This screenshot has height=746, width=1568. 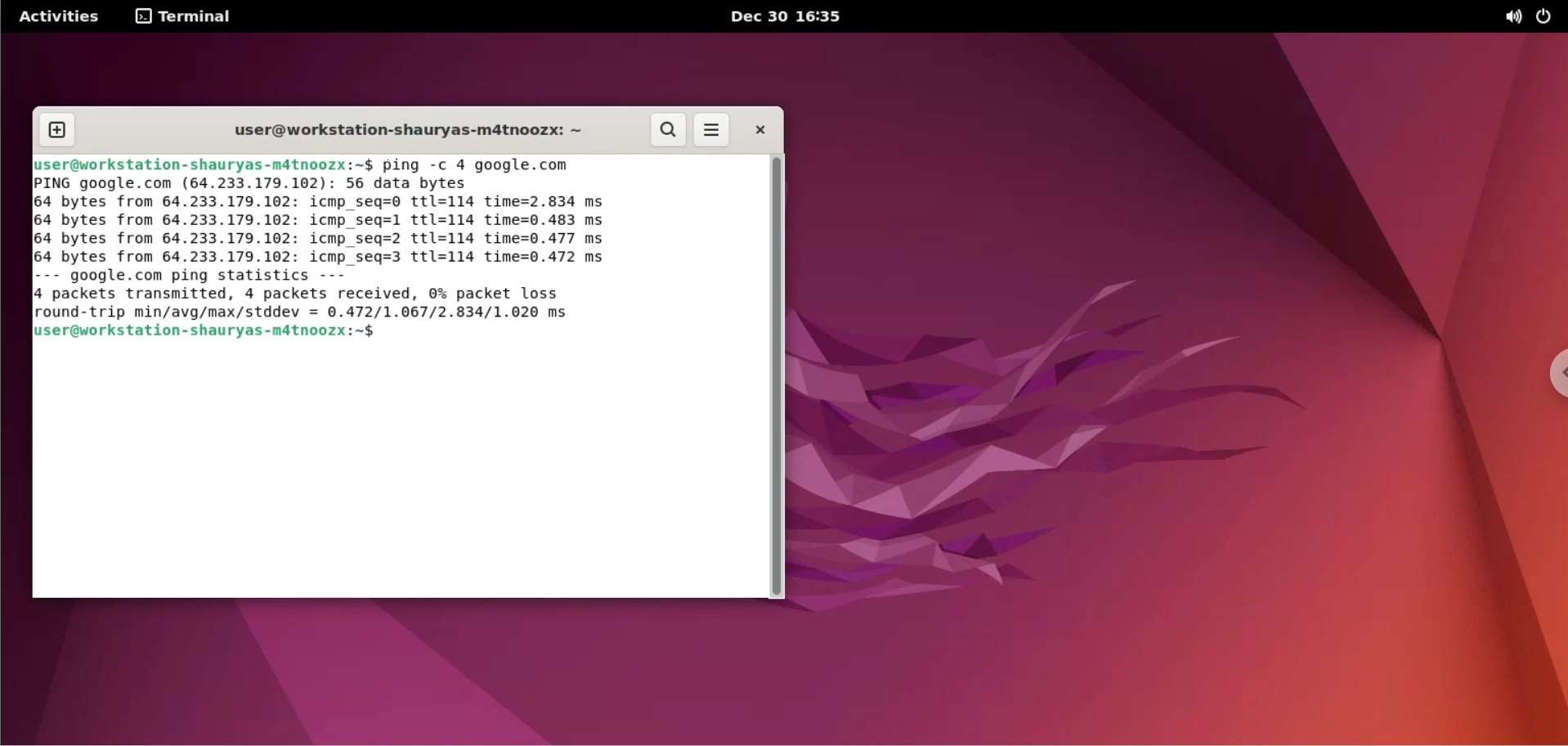 What do you see at coordinates (713, 129) in the screenshot?
I see `more options` at bounding box center [713, 129].